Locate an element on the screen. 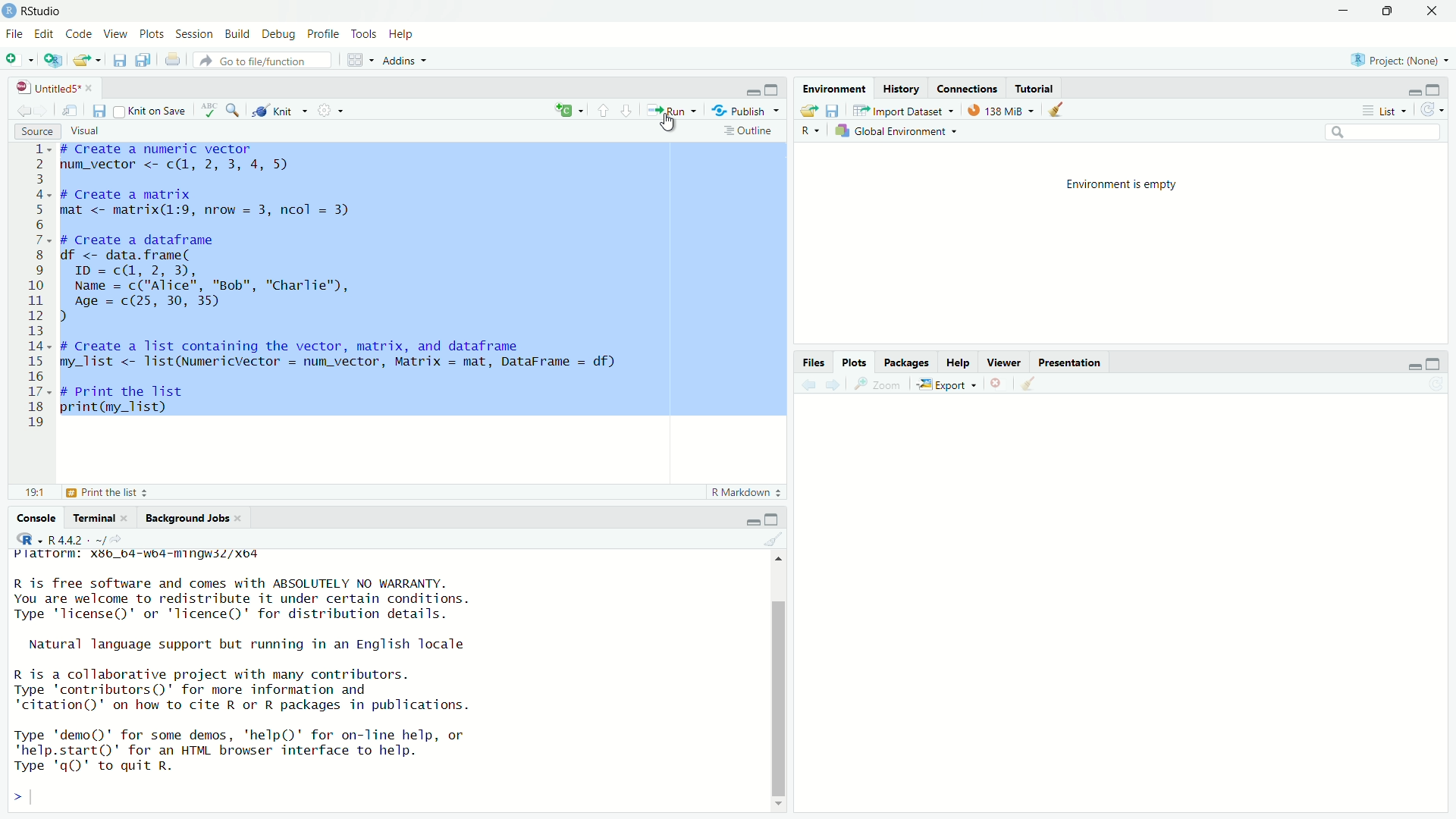 Image resolution: width=1456 pixels, height=819 pixels. Platrorm: Xx¥b_b4-wb4-mingw3Z/xo4

R is free software and comes with ABSOLUTELY NO WARRANTY.

You are welcome to redistribute it under certain conditions.

Type 'license()' or 'licence()' for distribution details.
Natural language support but running in an English locale

R is a collaborative project with many contributors.

Type 'contributors()' for more information and

‘citation()' on how to cite R or R packages in publications.

Type 'demo()' for some demos, 'help()' for on-line help, or

'help.start()' for an HTML browser interface to help.

Type 'qQ)' to quit R.

> is located at coordinates (285, 679).